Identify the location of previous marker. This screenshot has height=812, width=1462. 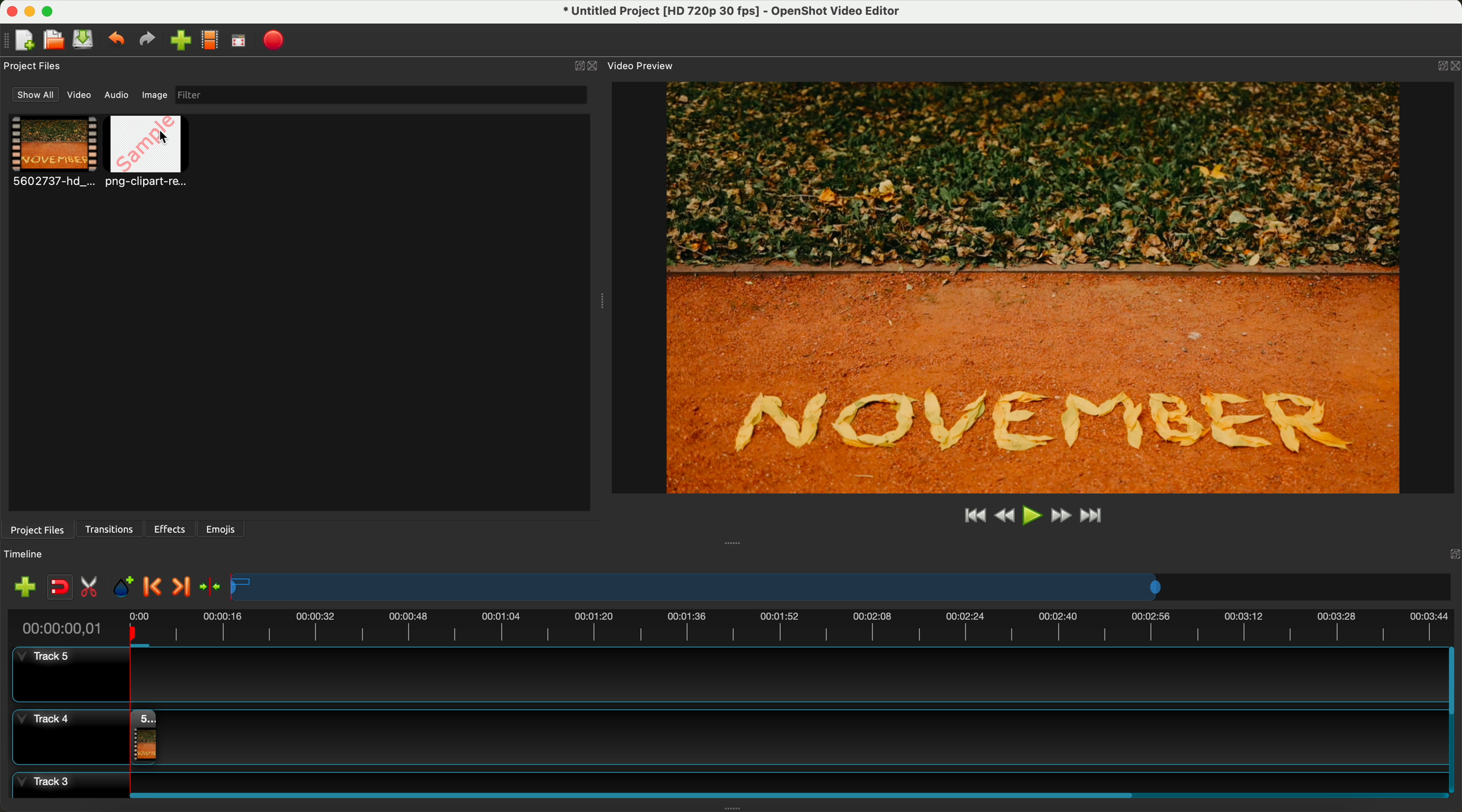
(156, 587).